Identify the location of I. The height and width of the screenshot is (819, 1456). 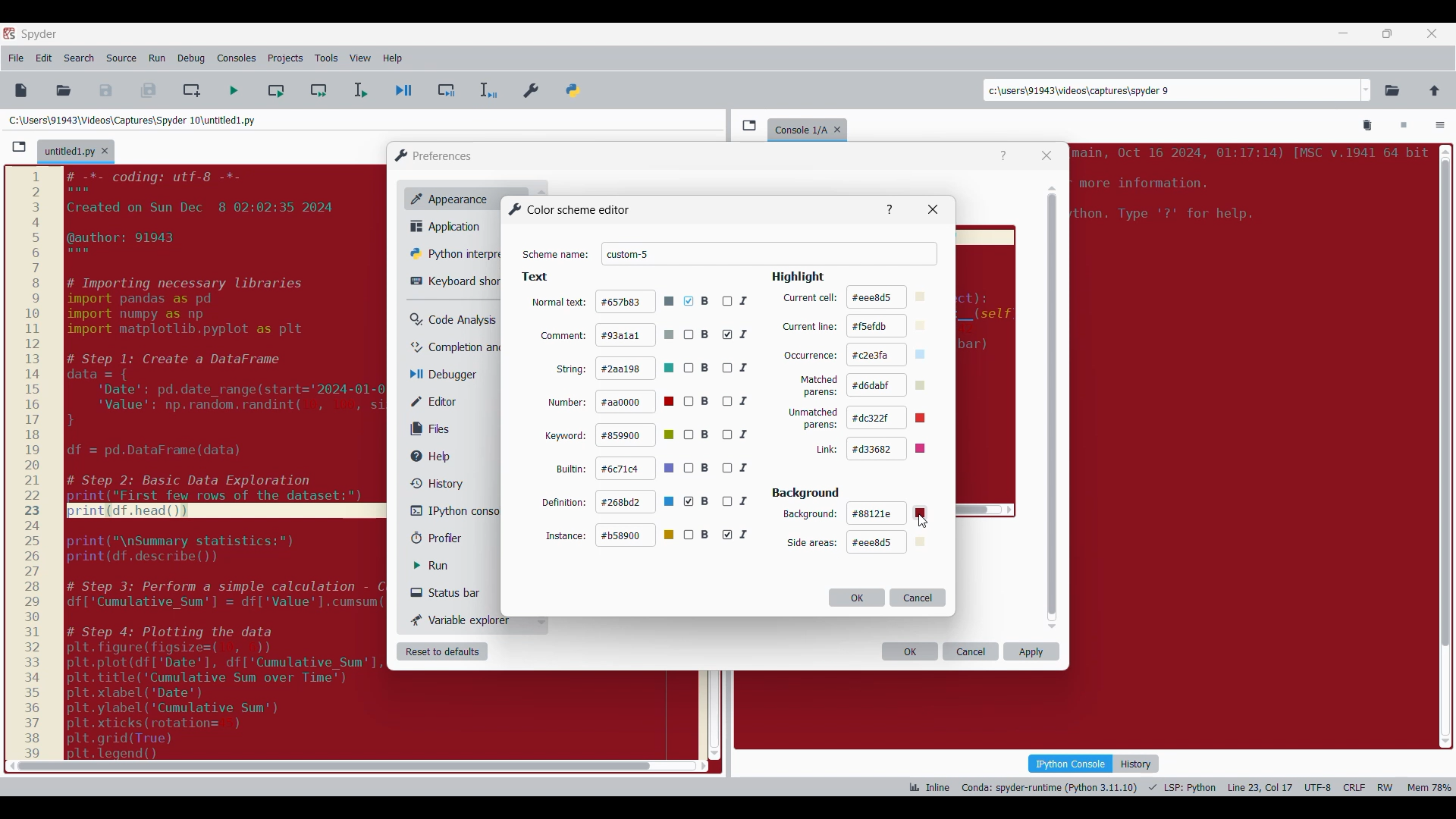
(741, 435).